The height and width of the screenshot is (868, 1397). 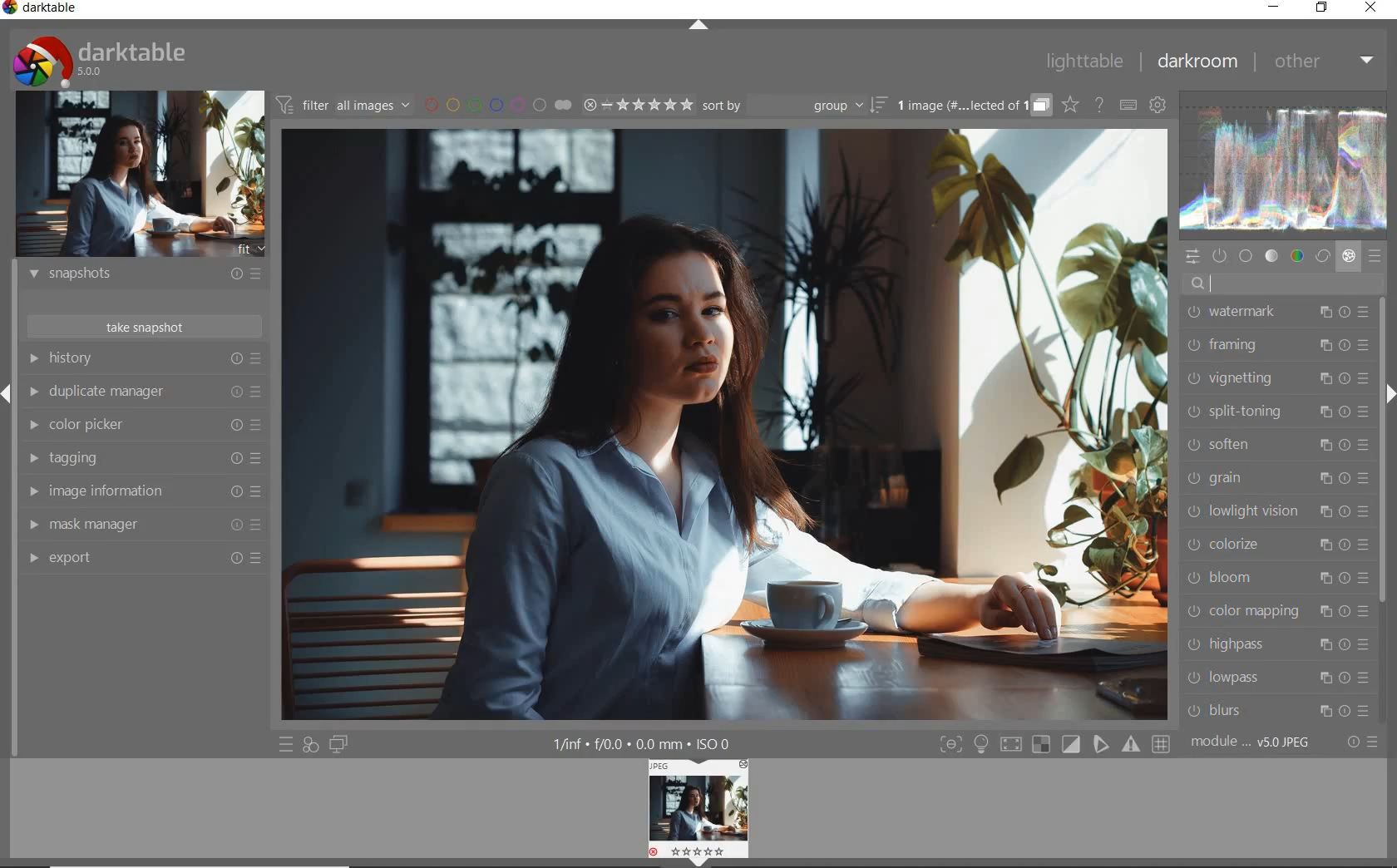 What do you see at coordinates (1322, 254) in the screenshot?
I see `correct` at bounding box center [1322, 254].